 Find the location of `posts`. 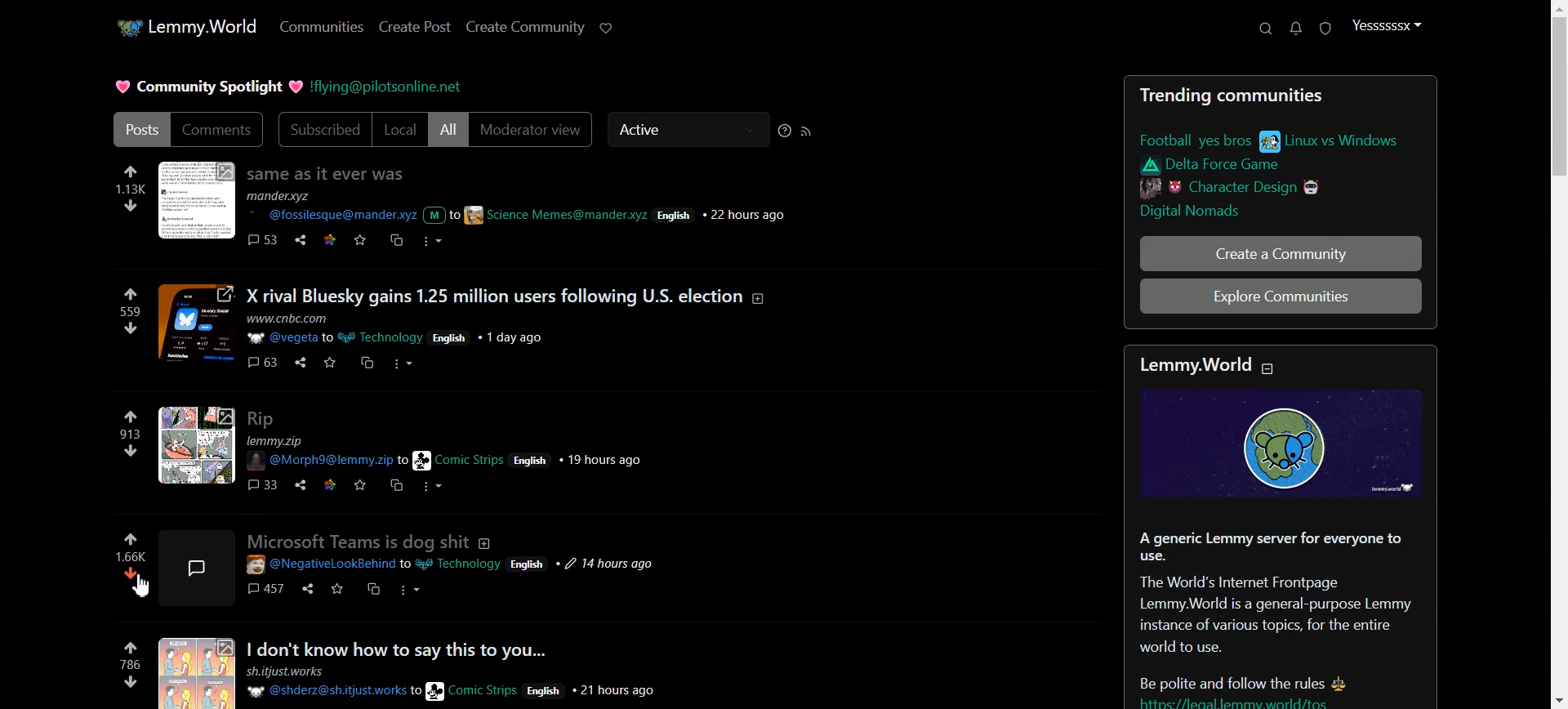

posts is located at coordinates (509, 297).